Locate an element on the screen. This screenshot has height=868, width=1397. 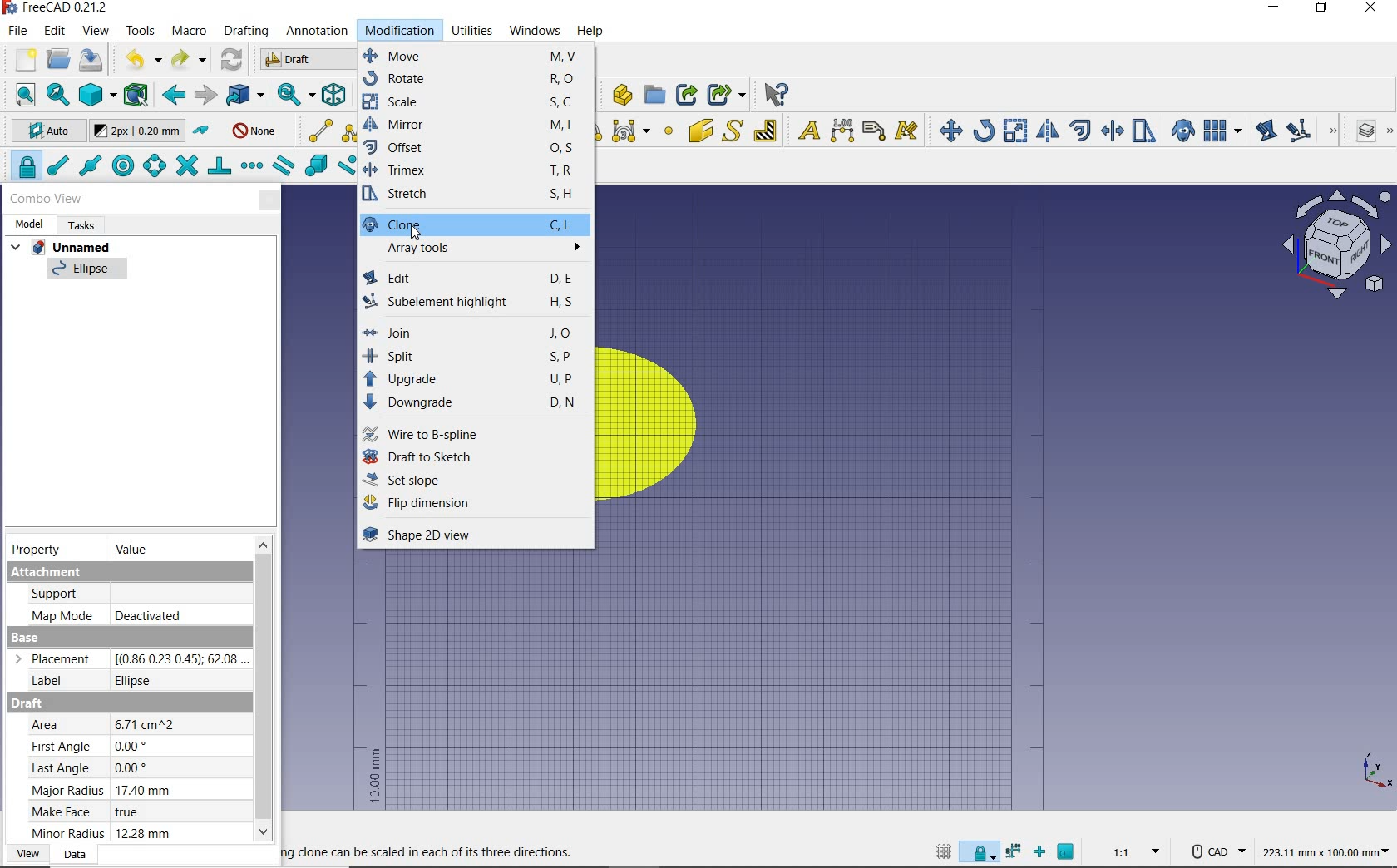
sync view is located at coordinates (294, 94).